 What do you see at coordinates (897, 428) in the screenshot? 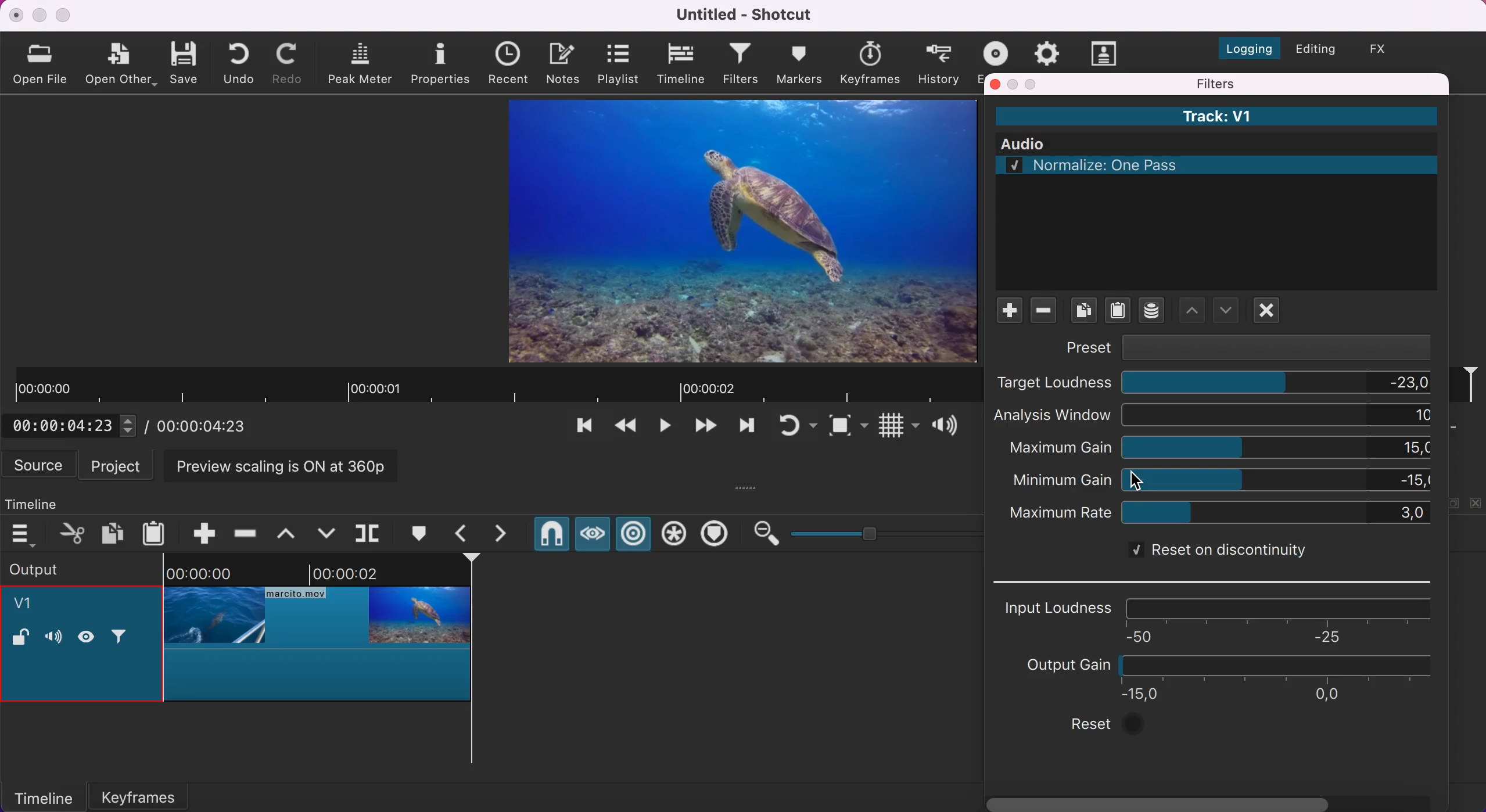
I see `toggle grid display on the player` at bounding box center [897, 428].